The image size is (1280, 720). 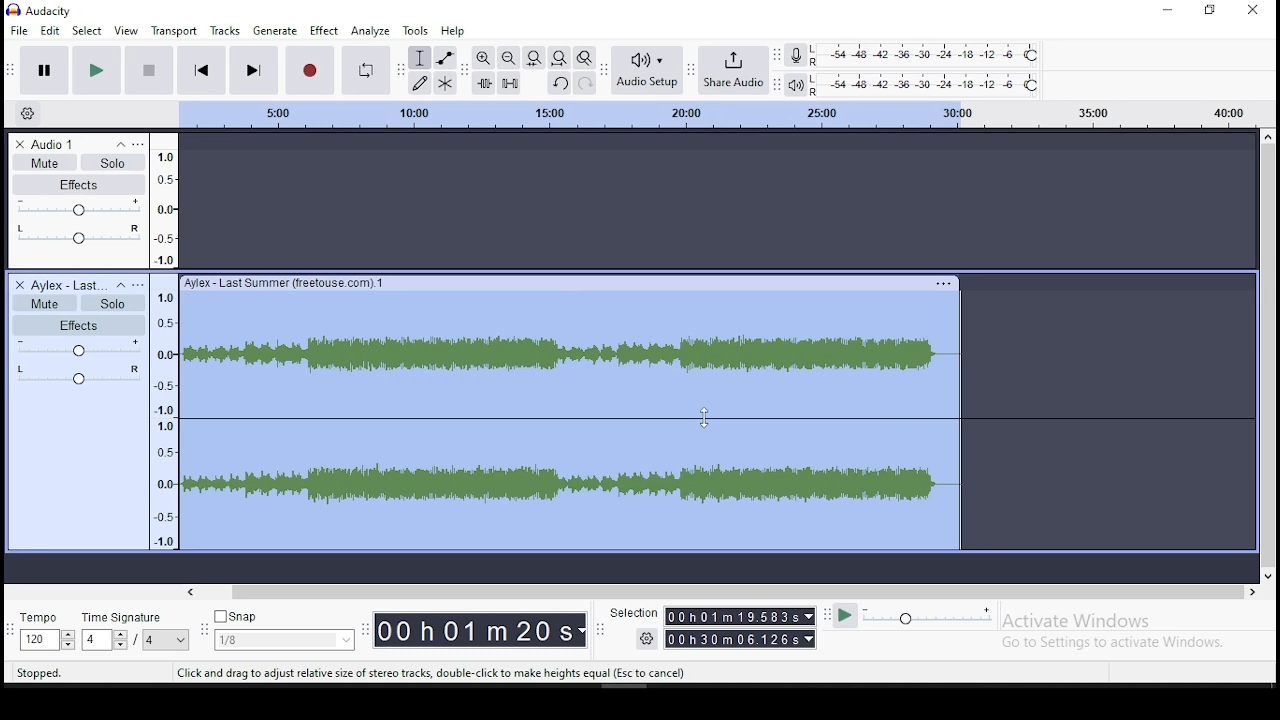 What do you see at coordinates (120, 142) in the screenshot?
I see `collapse` at bounding box center [120, 142].